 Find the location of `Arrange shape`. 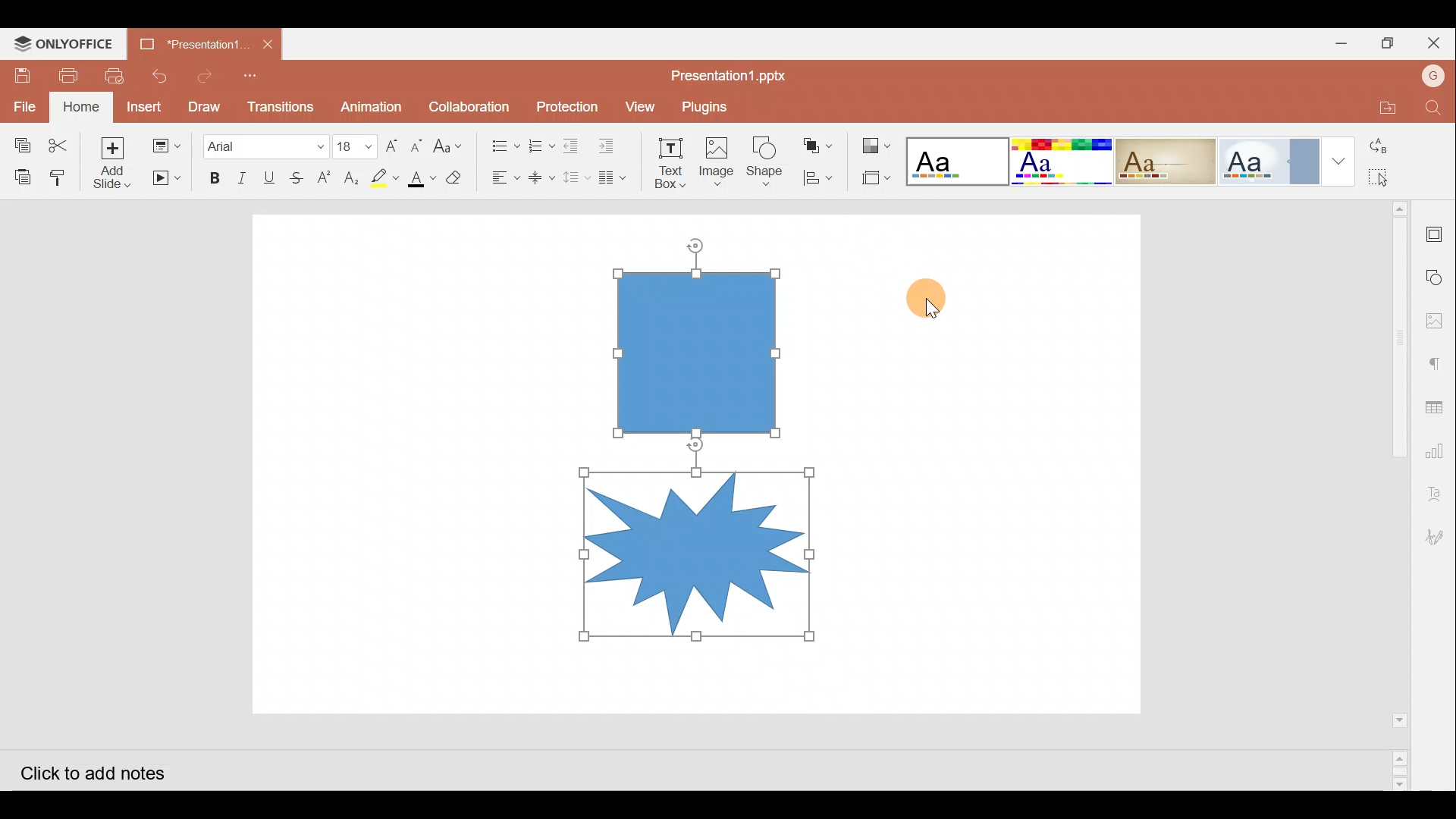

Arrange shape is located at coordinates (819, 141).